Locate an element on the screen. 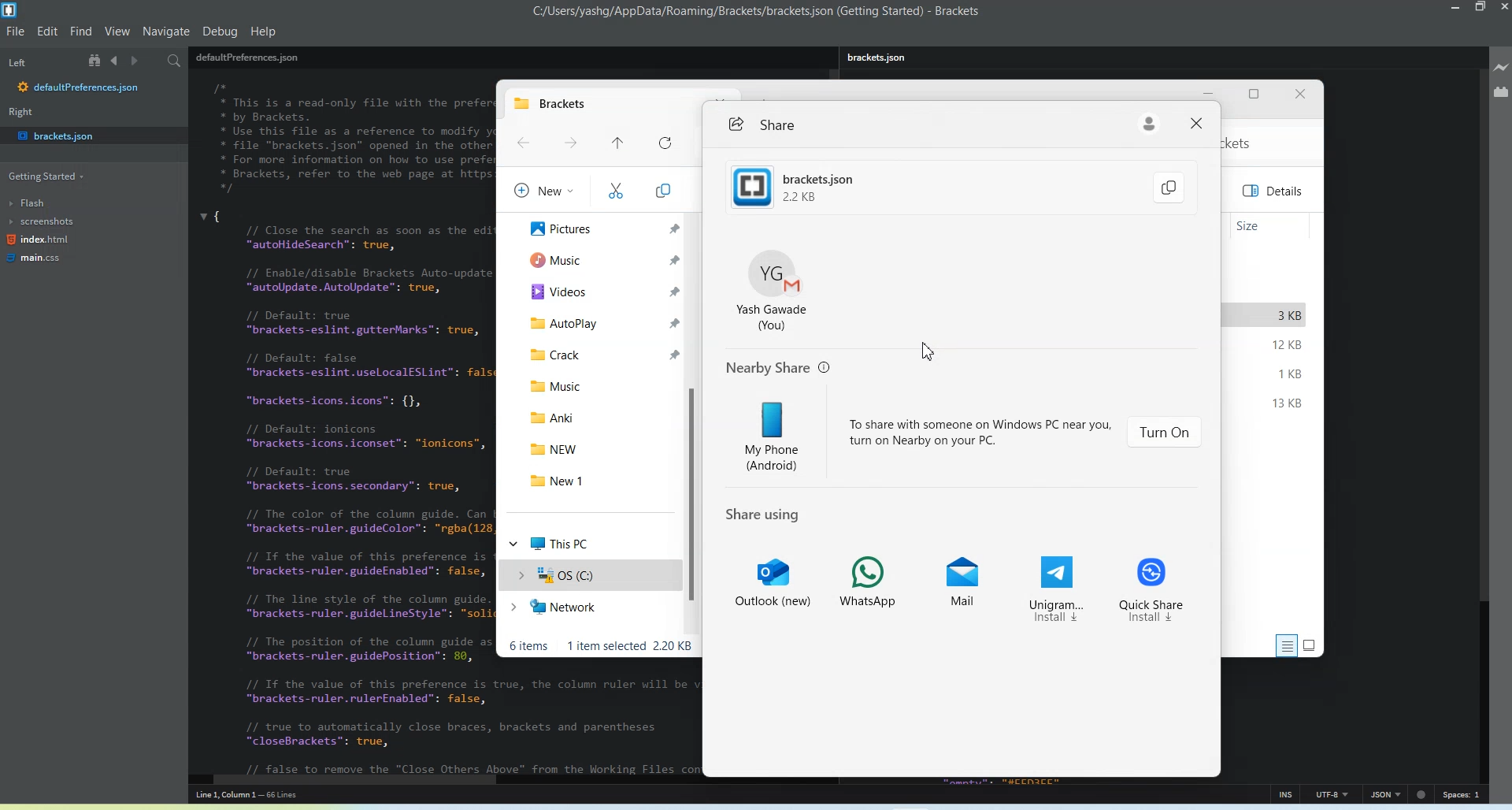 The height and width of the screenshot is (810, 1512). 3 KB is located at coordinates (1291, 316).